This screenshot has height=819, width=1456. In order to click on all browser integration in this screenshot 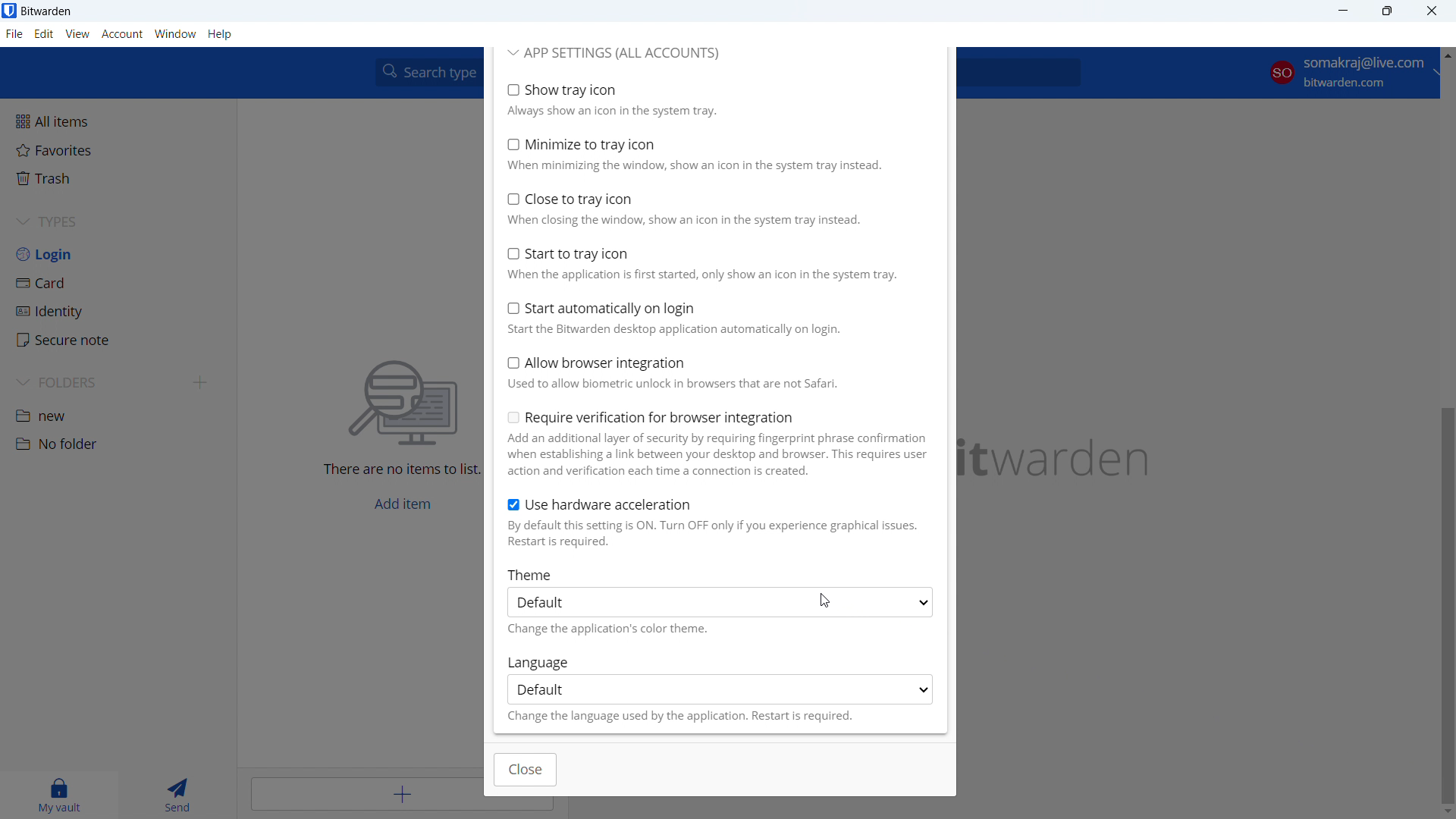, I will do `click(716, 372)`.